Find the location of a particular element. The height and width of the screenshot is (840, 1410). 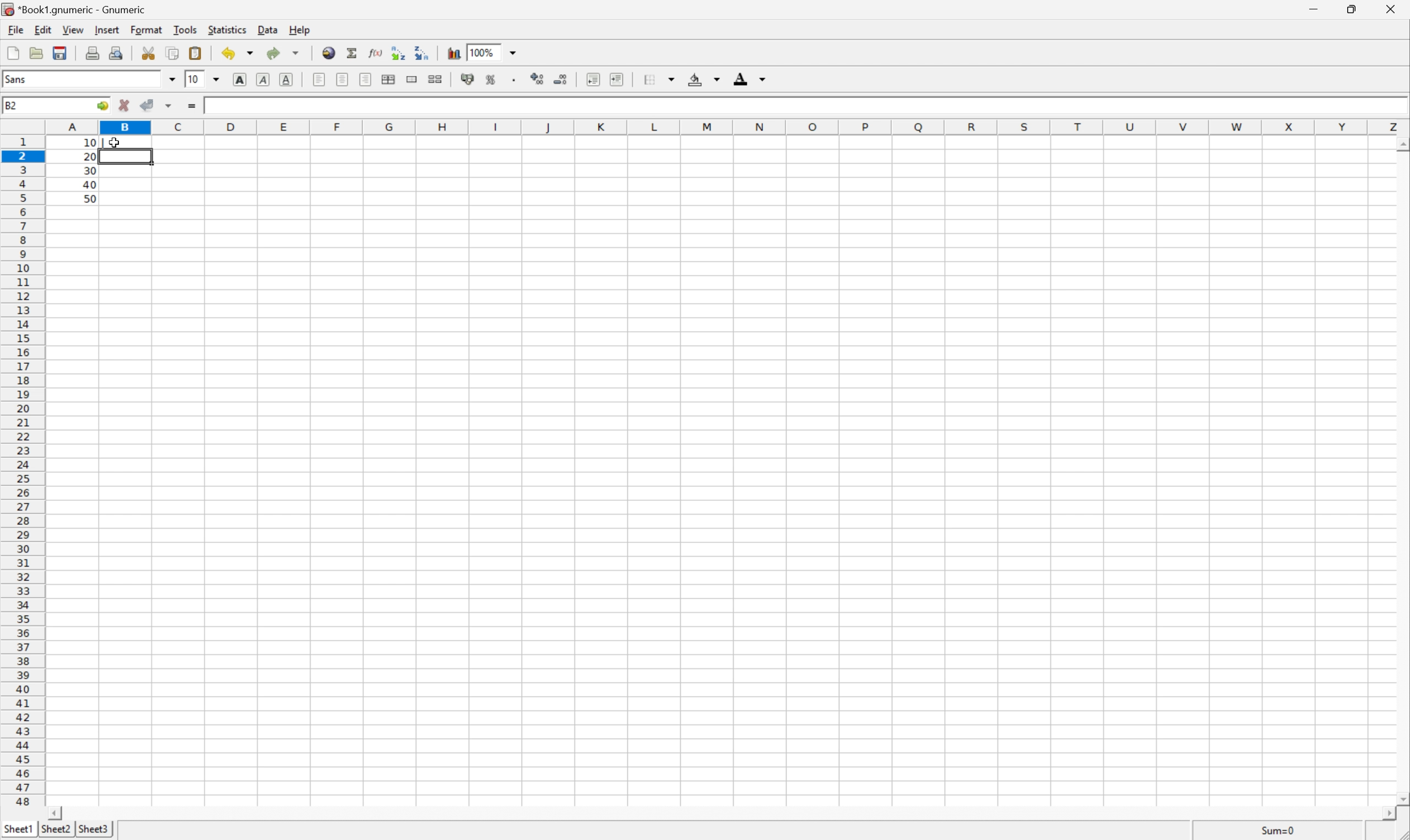

50 is located at coordinates (90, 199).